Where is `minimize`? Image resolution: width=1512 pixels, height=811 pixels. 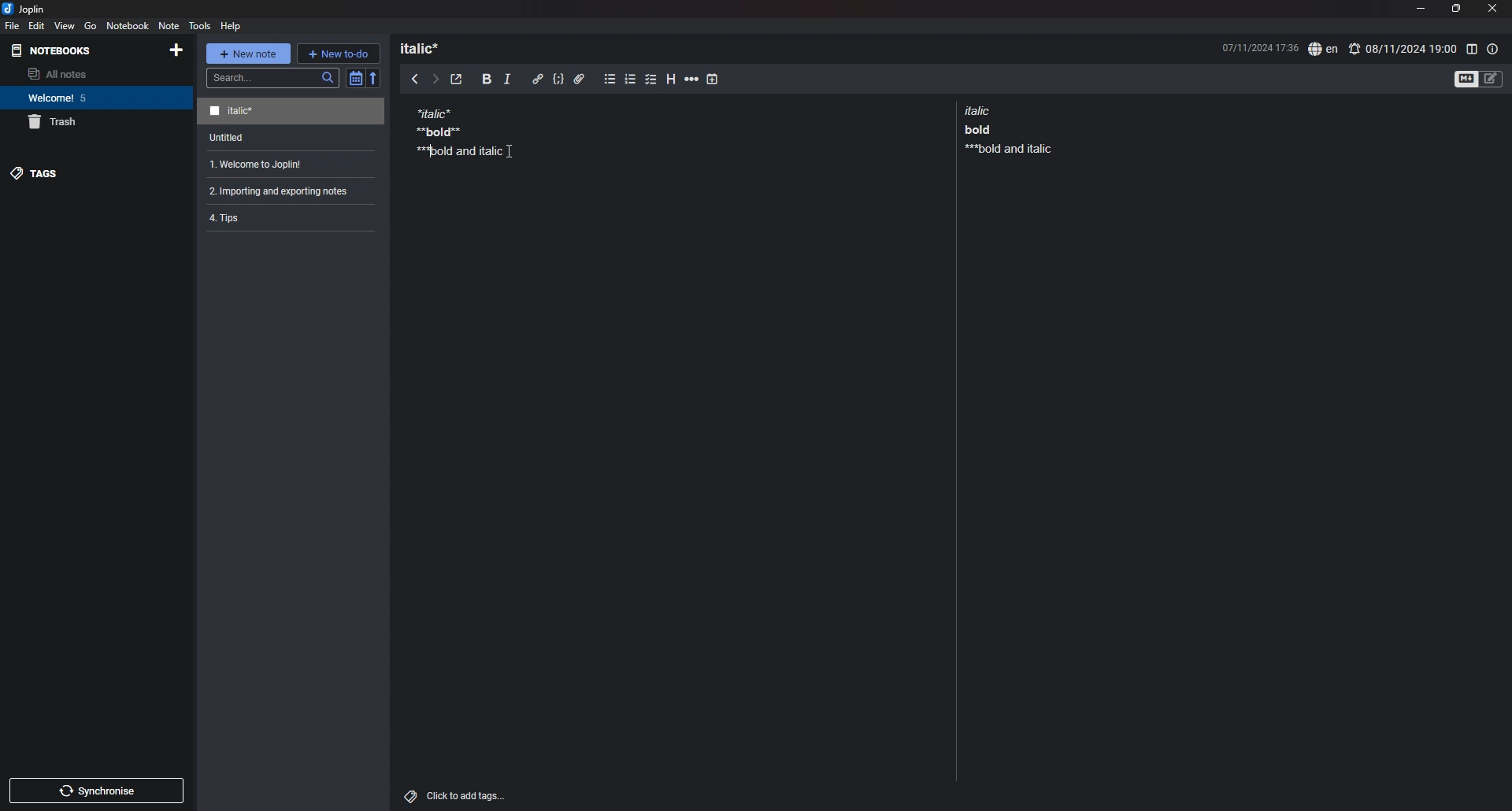 minimize is located at coordinates (1420, 8).